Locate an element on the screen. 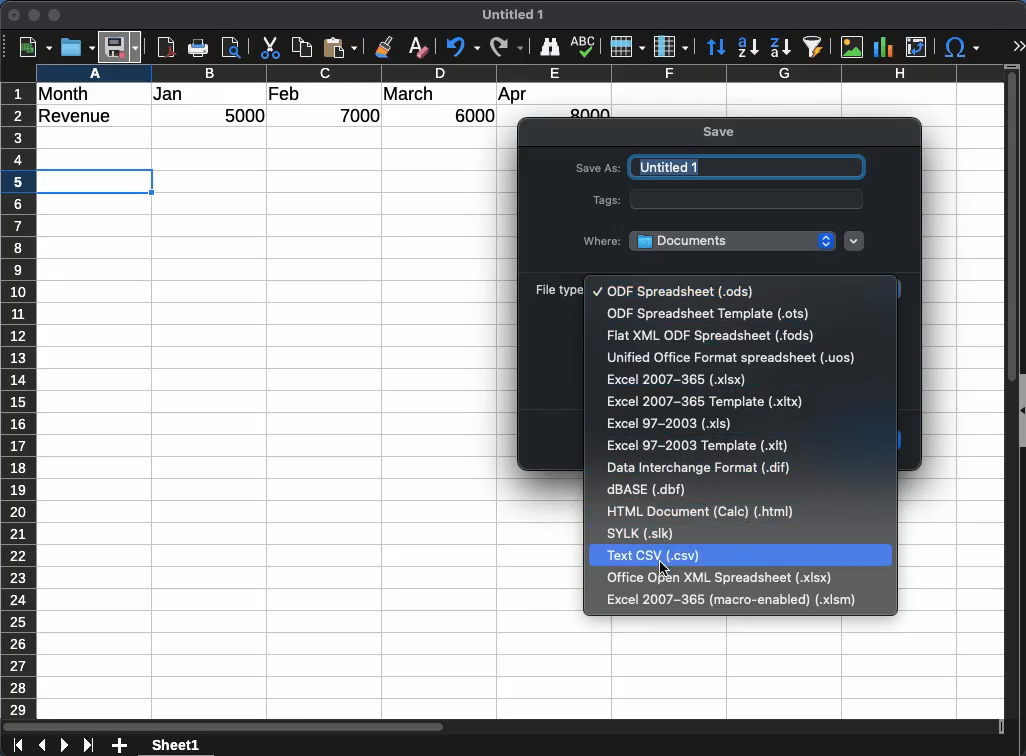 The image size is (1026, 756). Cut is located at coordinates (270, 48).